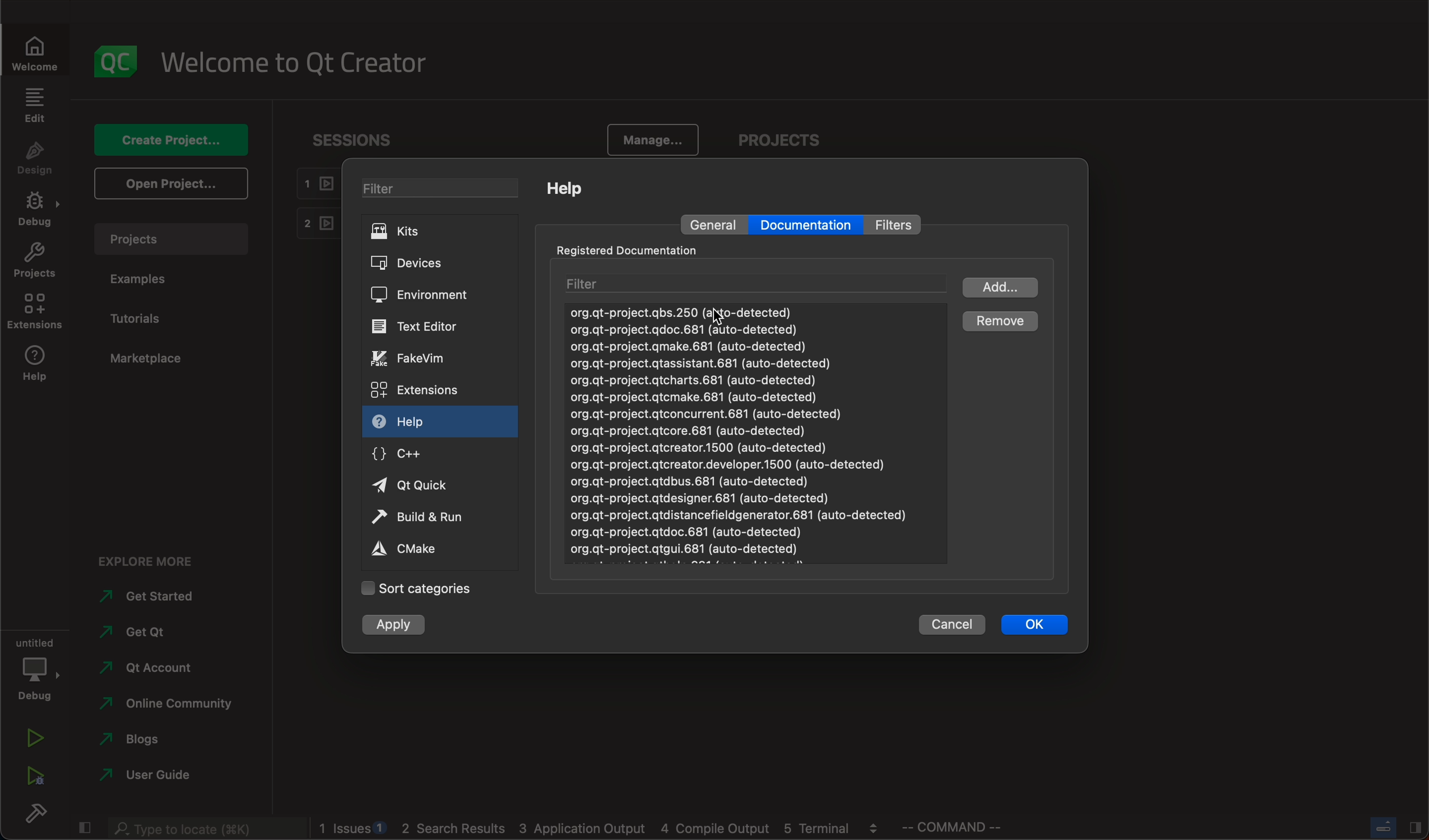  Describe the element at coordinates (147, 320) in the screenshot. I see `tutorials` at that location.